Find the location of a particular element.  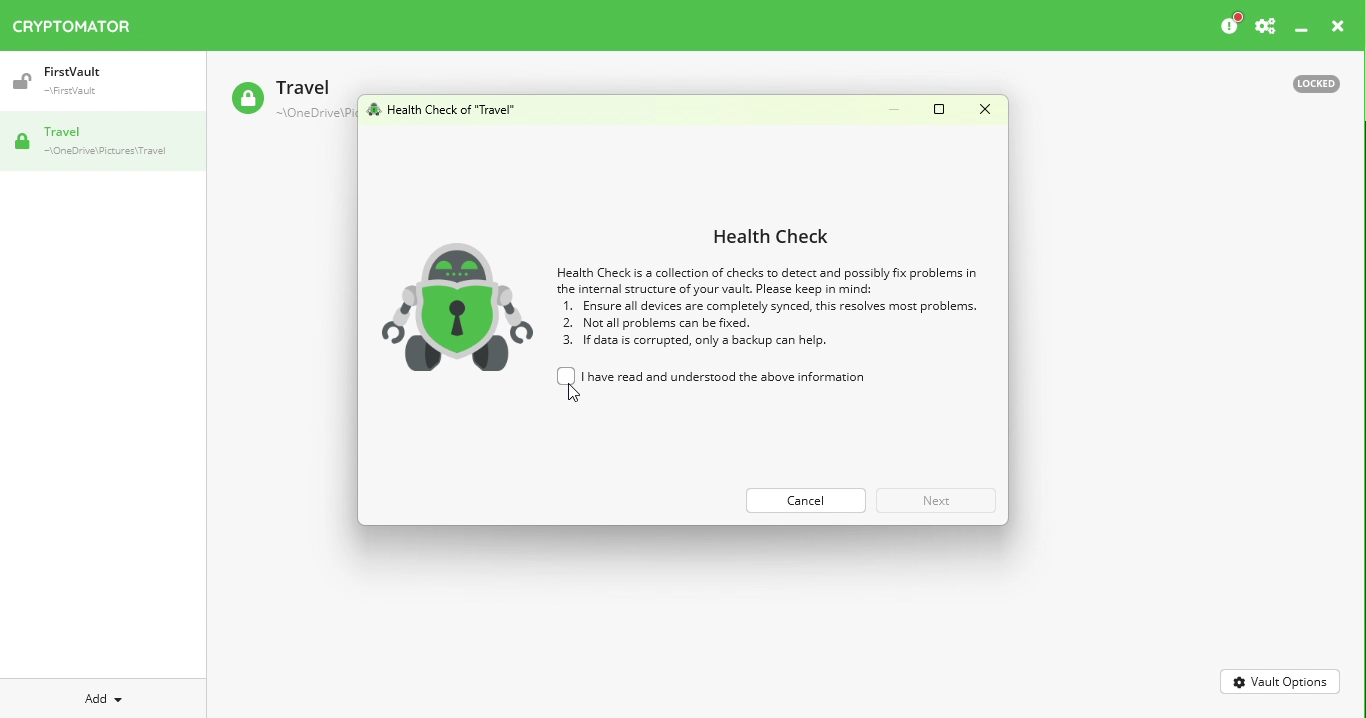

cursor is located at coordinates (575, 396).